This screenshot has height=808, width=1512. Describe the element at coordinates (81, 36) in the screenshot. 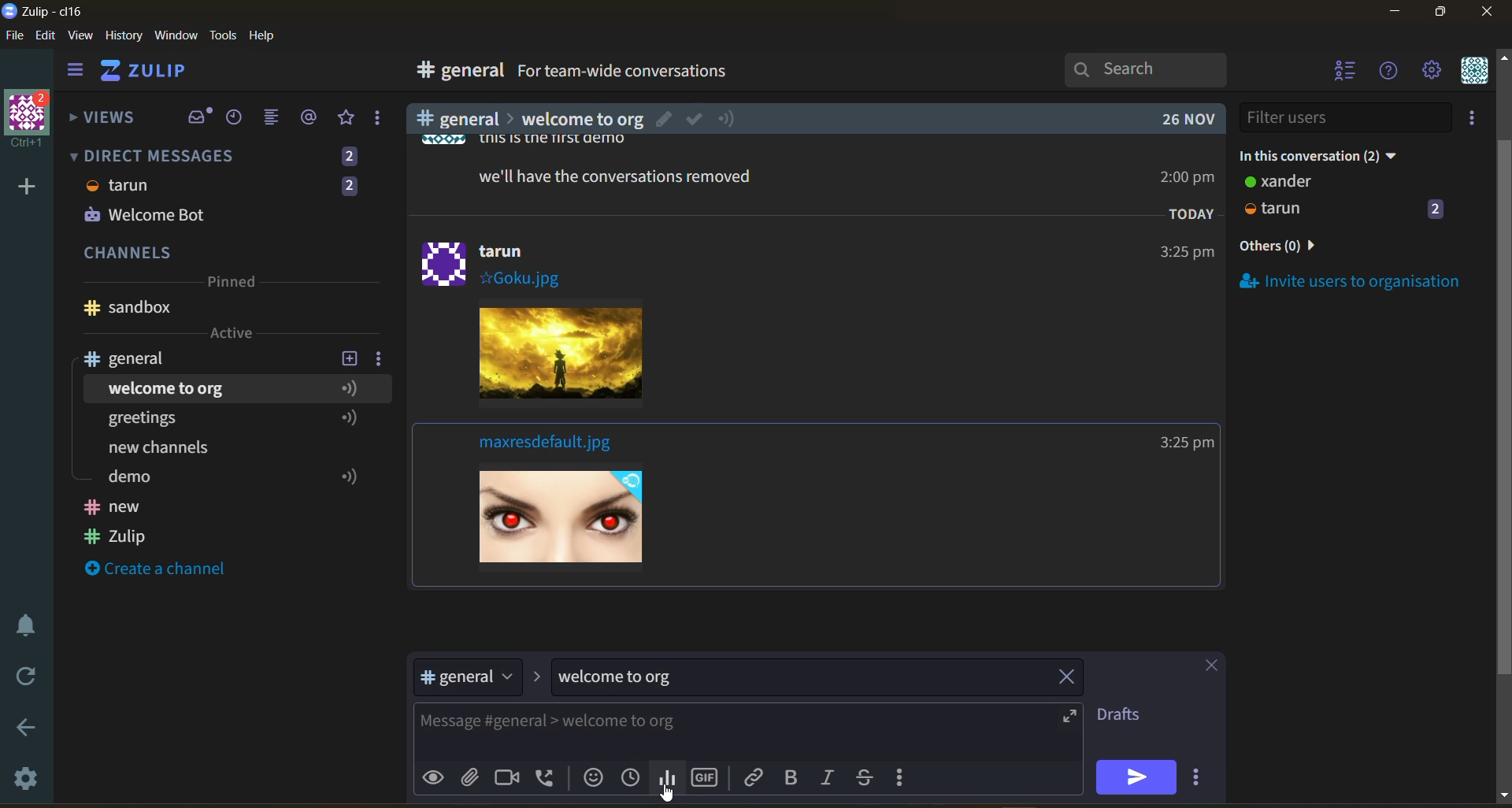

I see `view` at that location.